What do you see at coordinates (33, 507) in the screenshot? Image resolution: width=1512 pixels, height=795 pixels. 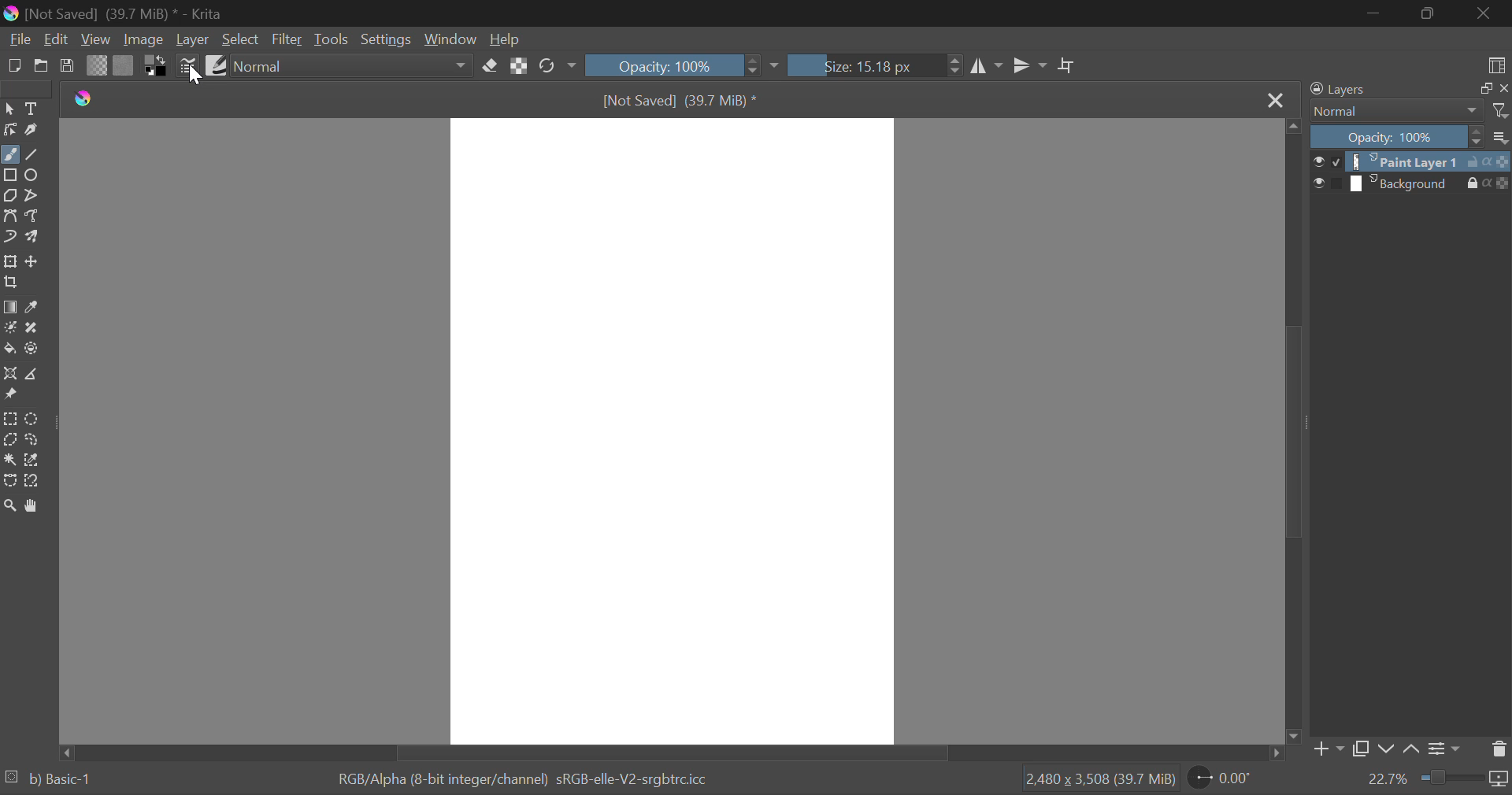 I see `Pan` at bounding box center [33, 507].